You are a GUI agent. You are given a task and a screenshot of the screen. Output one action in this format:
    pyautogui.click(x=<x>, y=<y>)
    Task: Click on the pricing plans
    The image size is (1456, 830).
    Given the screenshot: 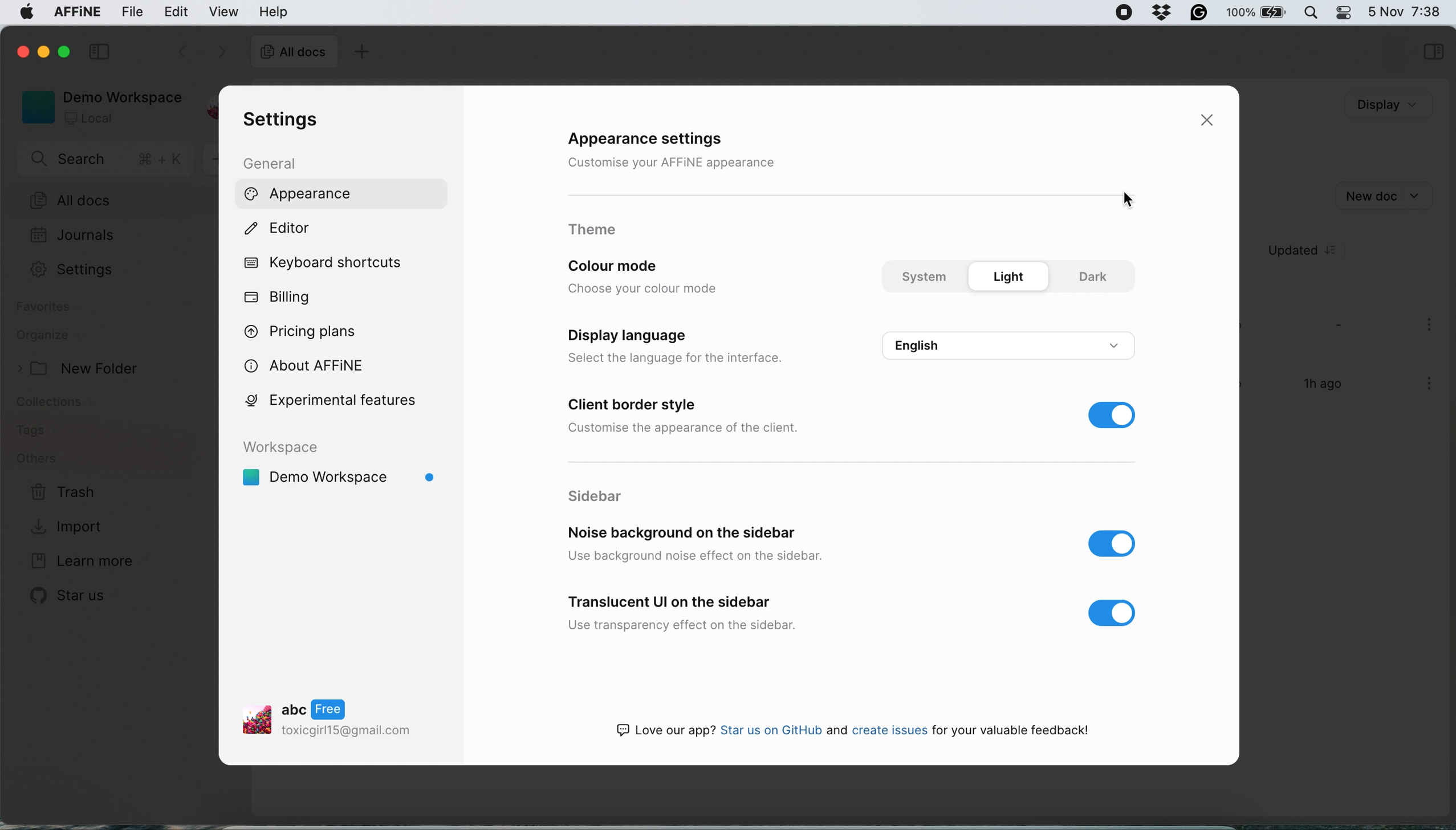 What is the action you would take?
    pyautogui.click(x=318, y=333)
    